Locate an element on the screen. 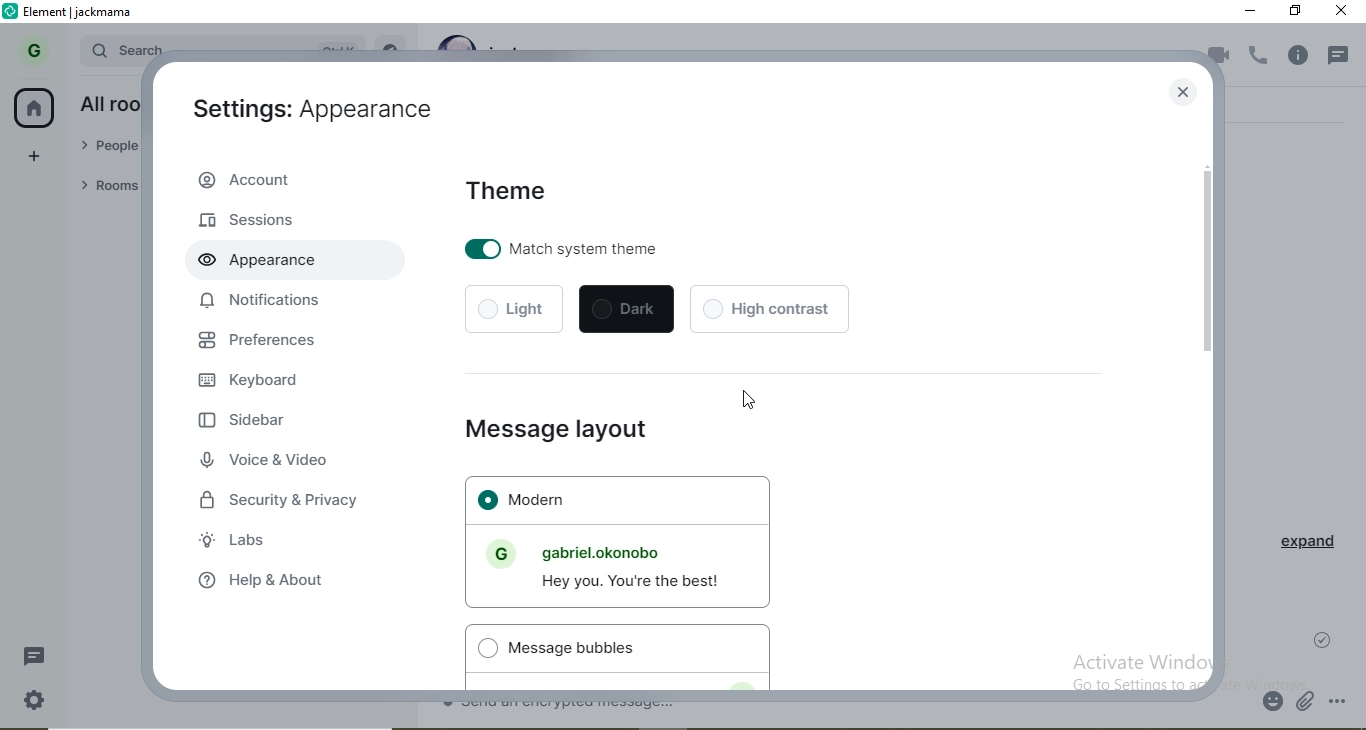 The width and height of the screenshot is (1366, 730). voice & video is located at coordinates (266, 461).